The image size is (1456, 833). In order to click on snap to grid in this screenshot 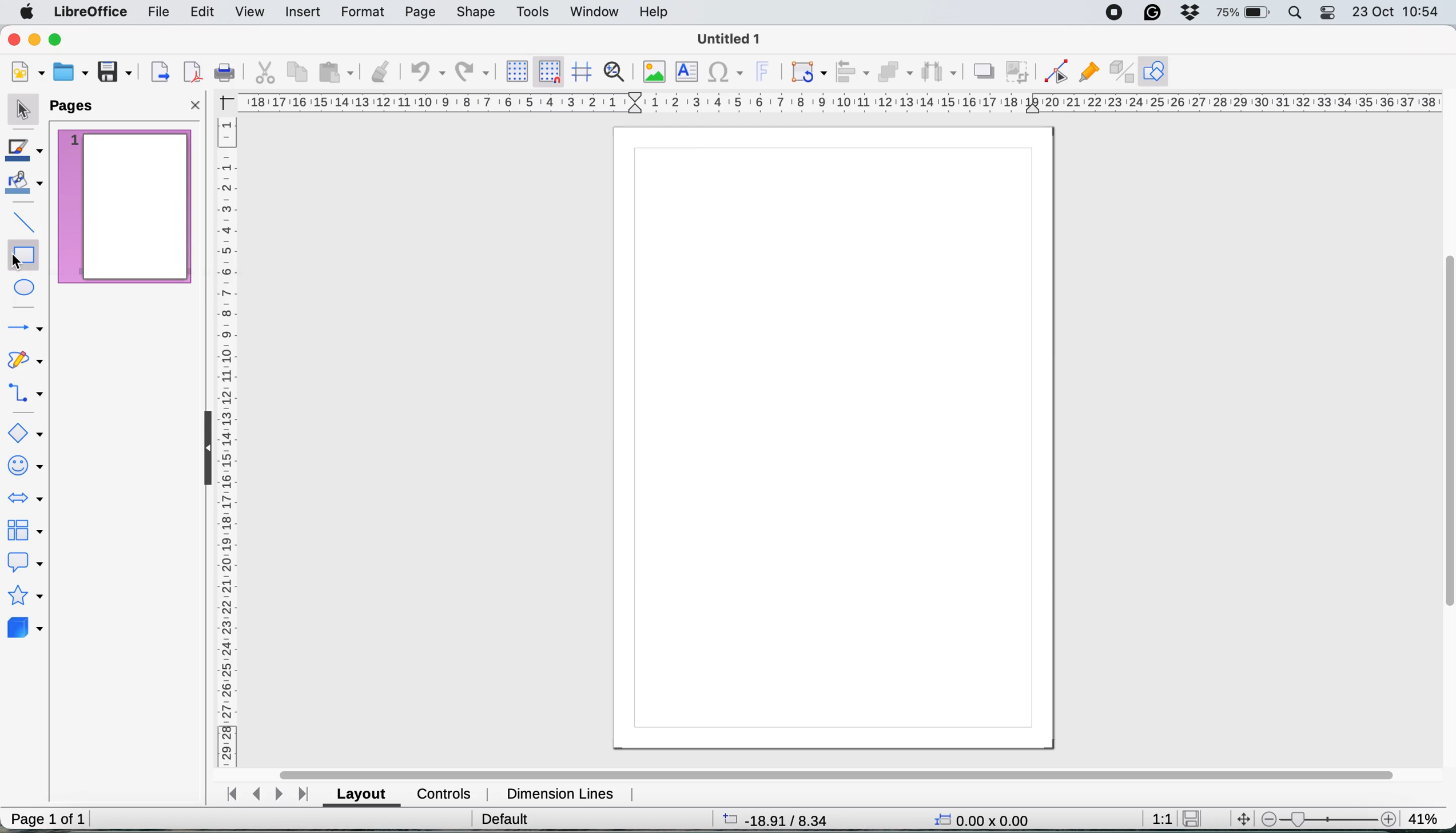, I will do `click(549, 71)`.